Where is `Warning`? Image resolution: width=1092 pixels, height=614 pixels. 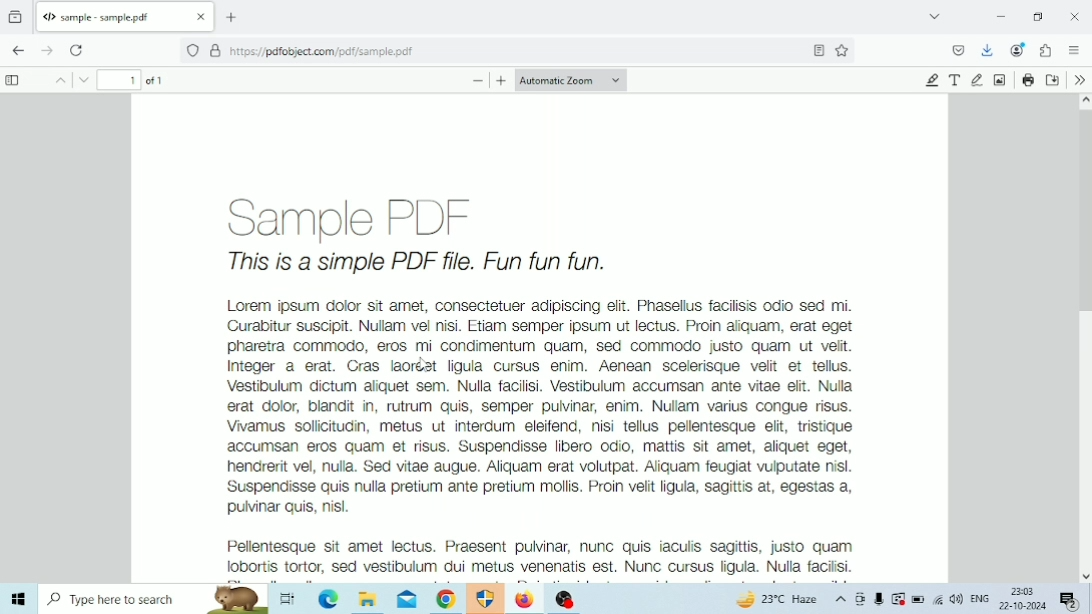 Warning is located at coordinates (898, 599).